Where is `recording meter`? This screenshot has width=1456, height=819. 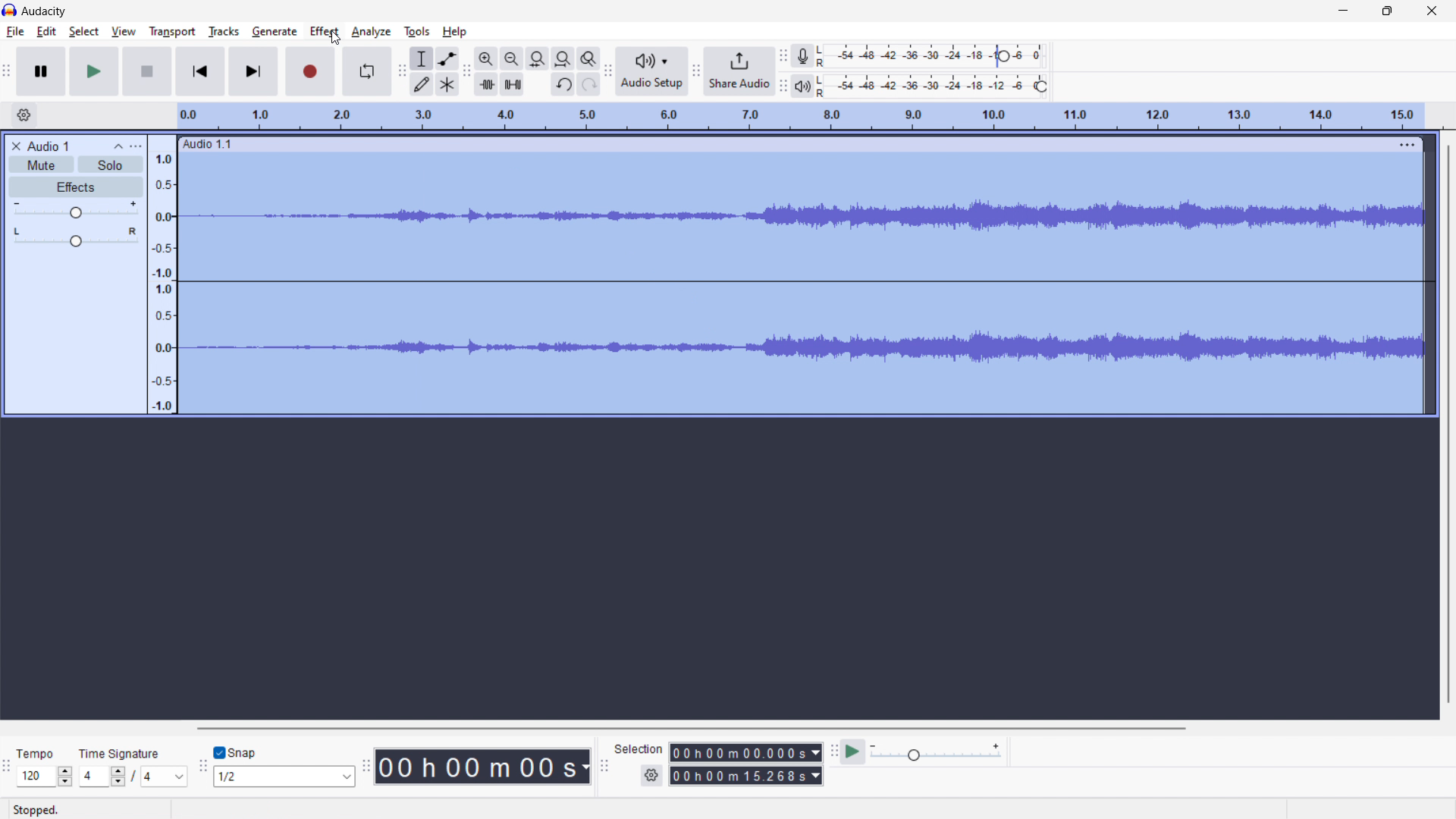 recording meter is located at coordinates (802, 57).